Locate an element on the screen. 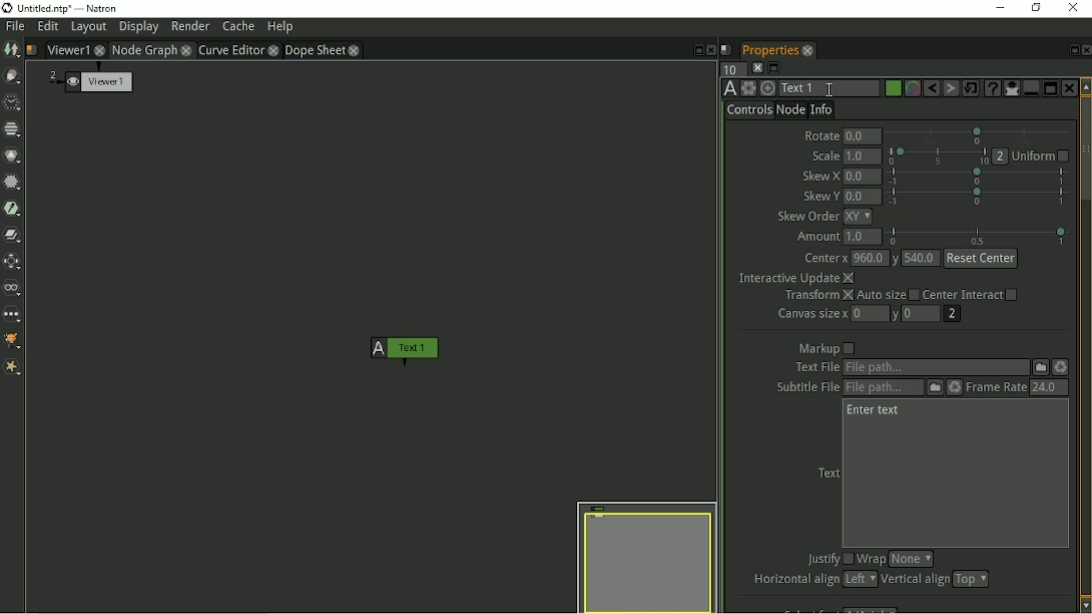  Center Interact is located at coordinates (978, 295).